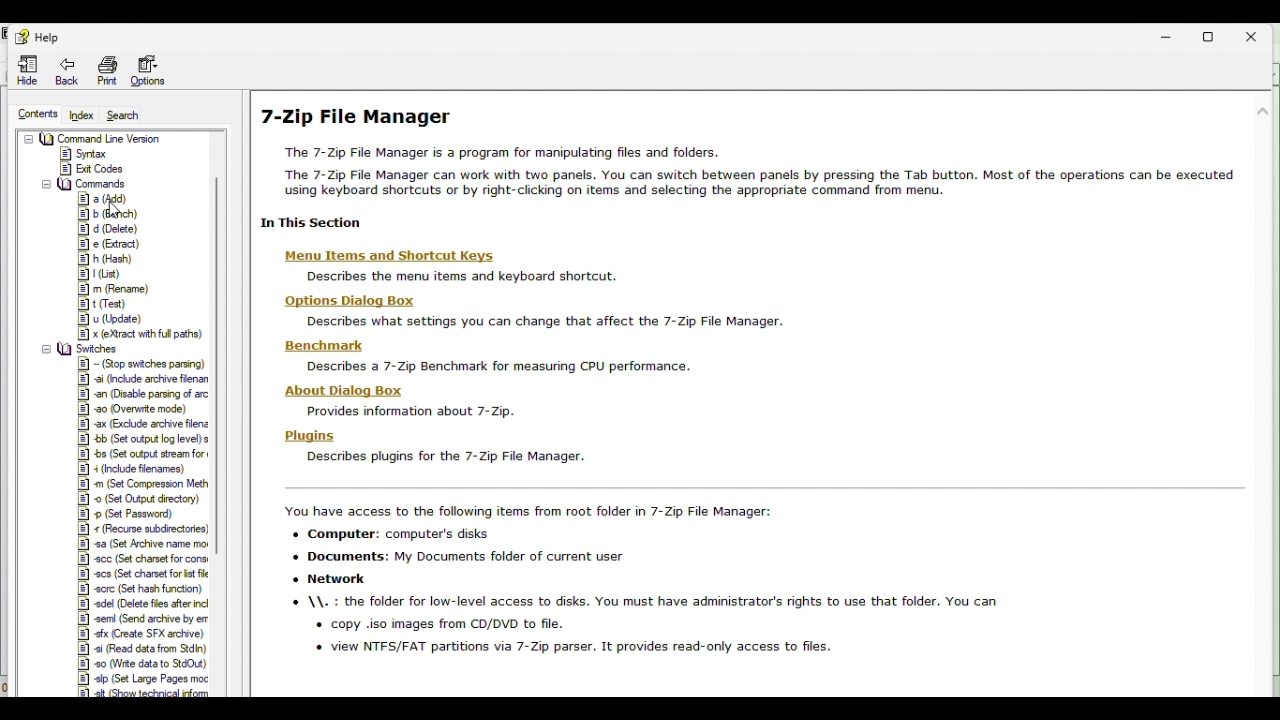 This screenshot has width=1280, height=720. Describe the element at coordinates (144, 693) in the screenshot. I see `-slt` at that location.